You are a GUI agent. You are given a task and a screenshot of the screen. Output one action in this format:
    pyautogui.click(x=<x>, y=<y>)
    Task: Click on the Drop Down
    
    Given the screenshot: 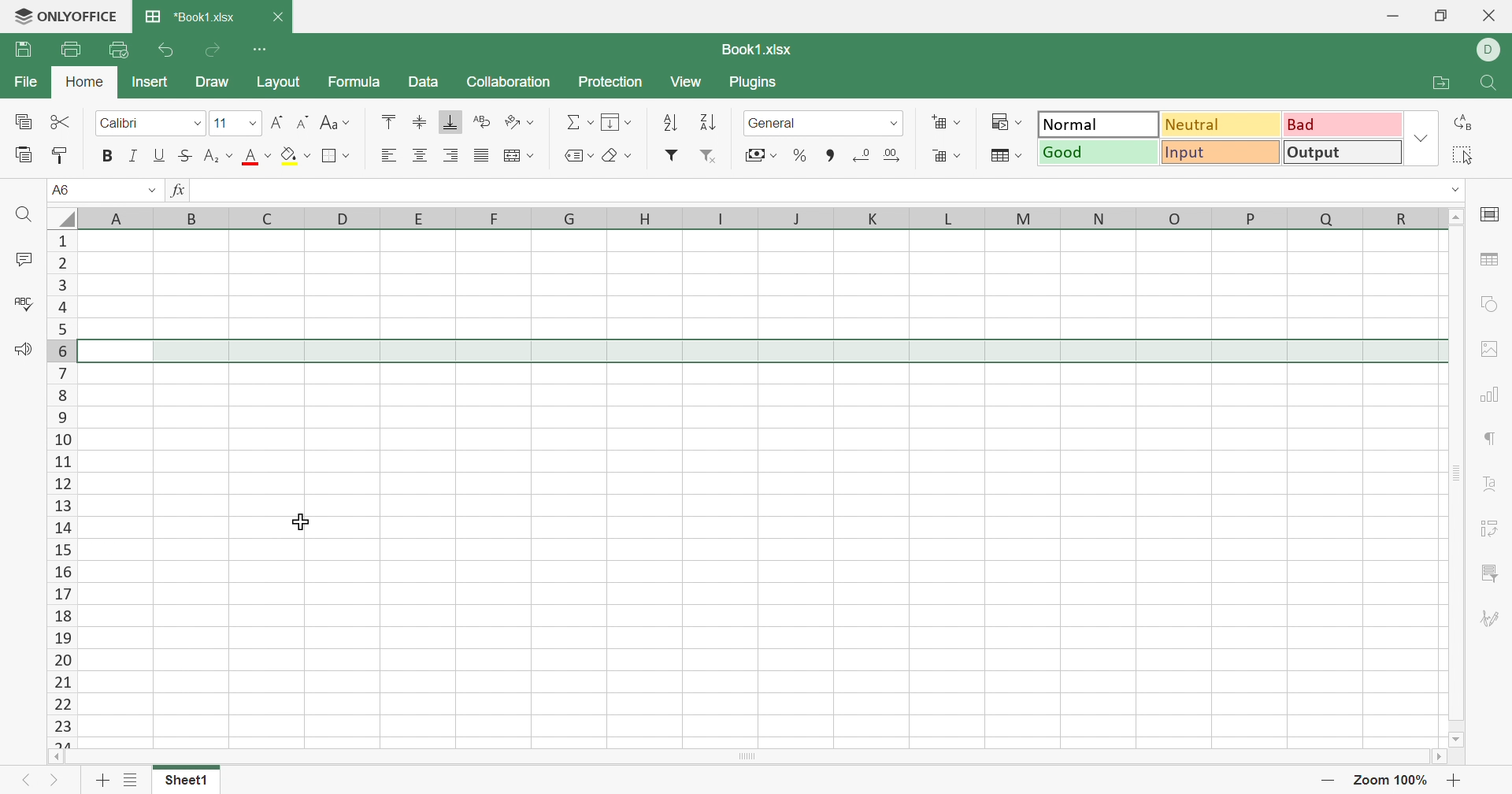 What is the action you would take?
    pyautogui.click(x=1456, y=189)
    